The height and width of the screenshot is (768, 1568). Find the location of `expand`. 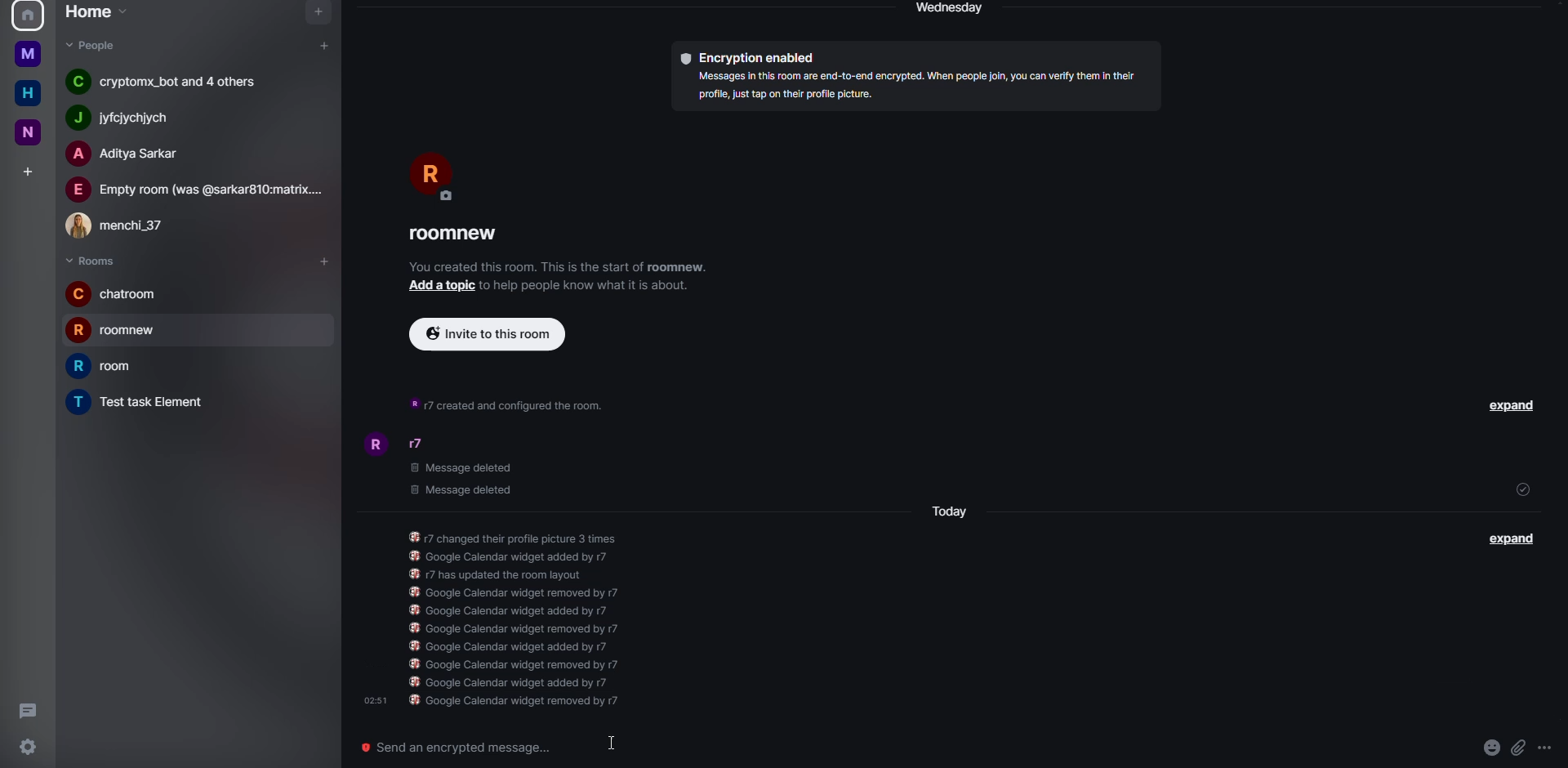

expand is located at coordinates (1509, 407).